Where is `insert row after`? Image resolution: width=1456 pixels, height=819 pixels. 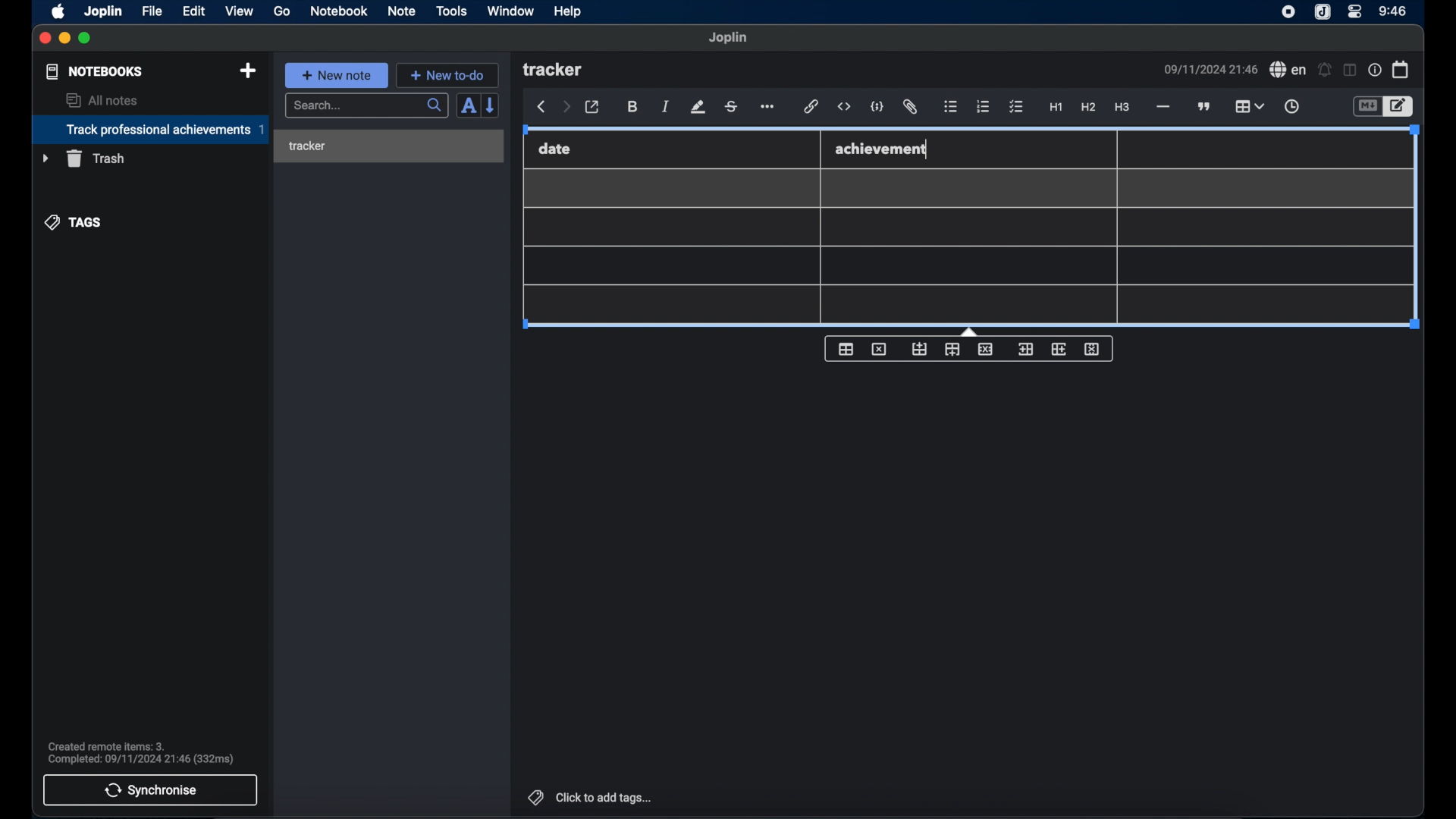 insert row after is located at coordinates (952, 350).